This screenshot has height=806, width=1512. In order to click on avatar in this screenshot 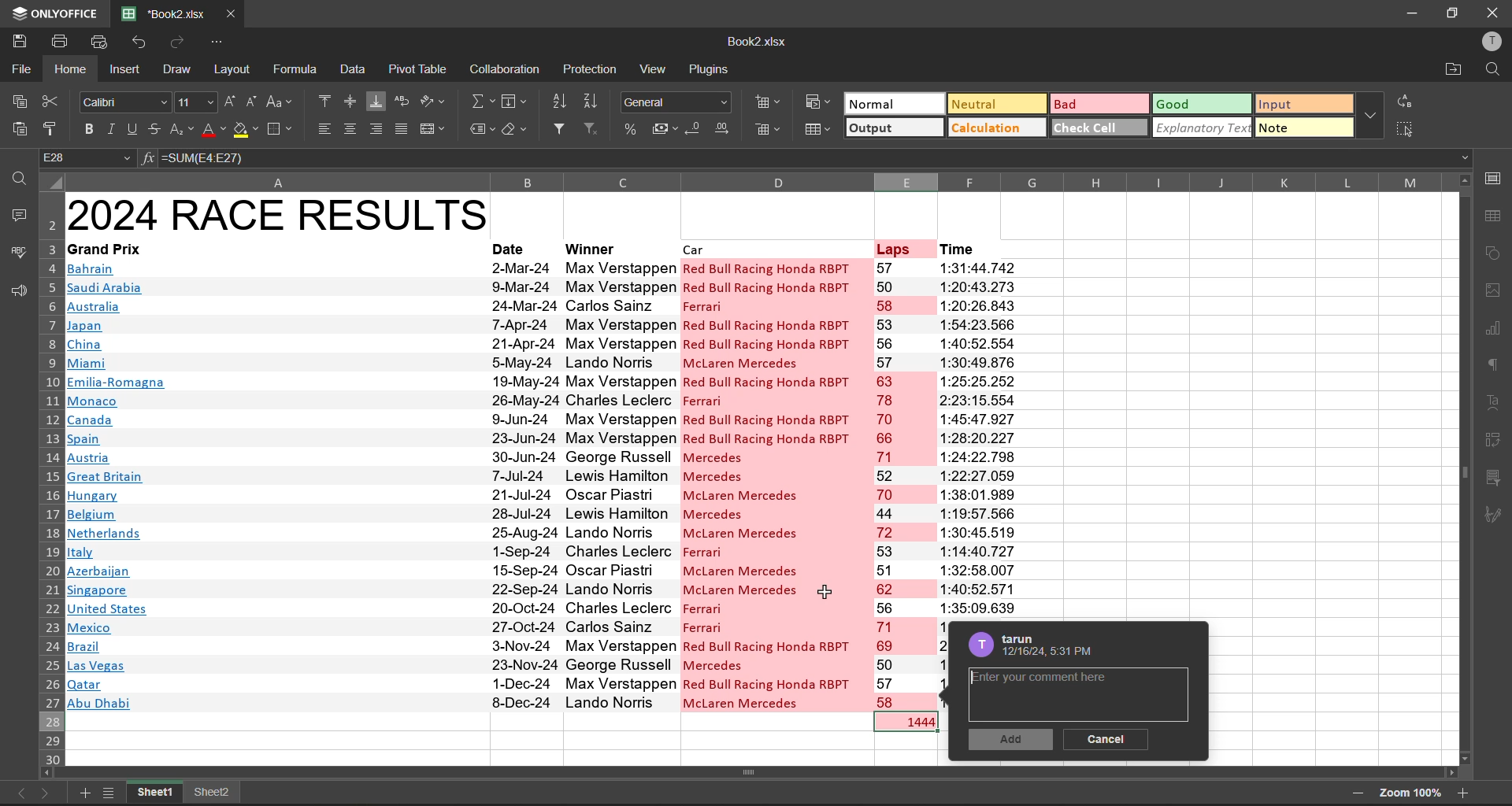, I will do `click(978, 645)`.